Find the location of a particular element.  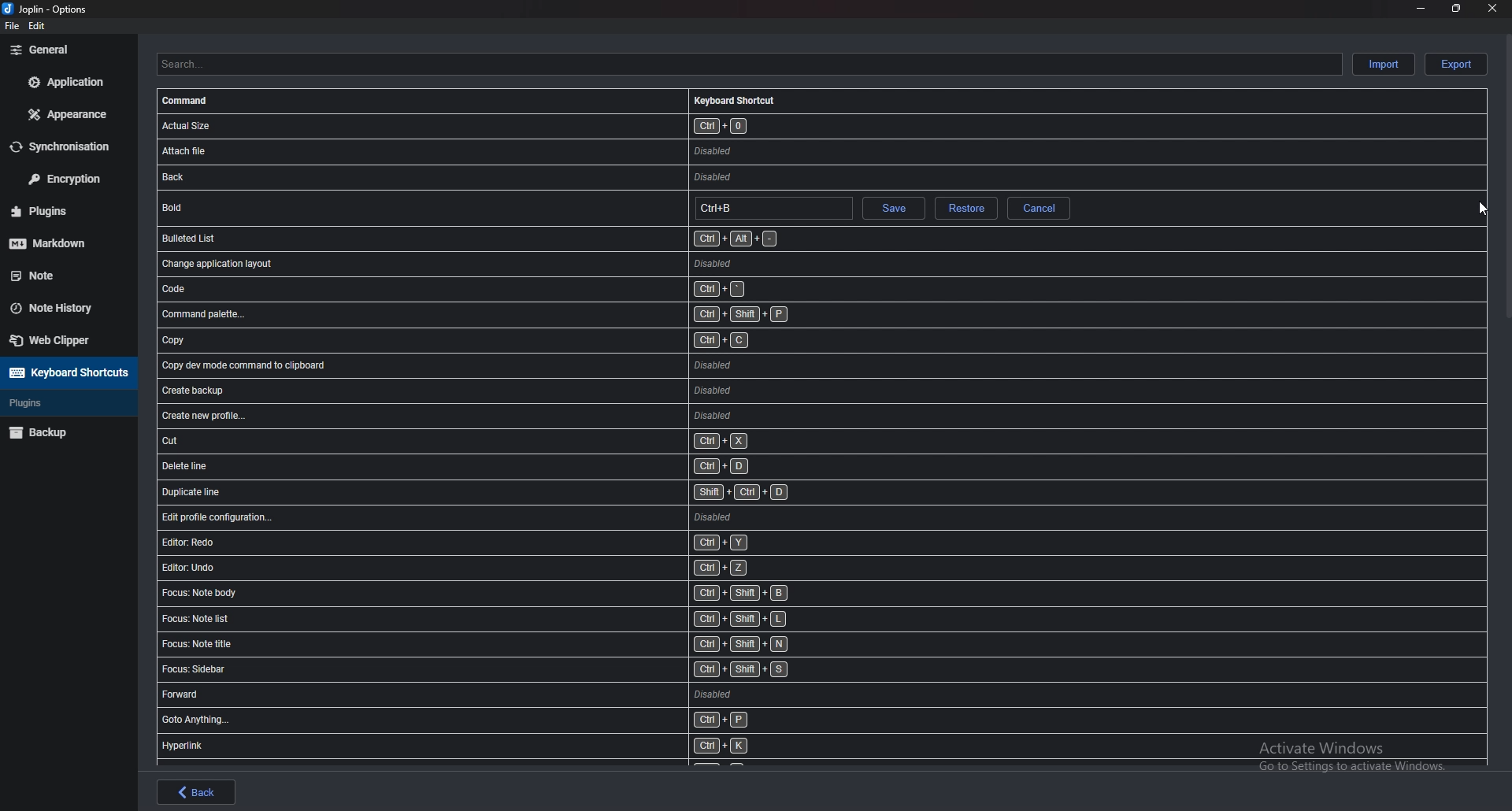

shortcut is located at coordinates (542, 467).